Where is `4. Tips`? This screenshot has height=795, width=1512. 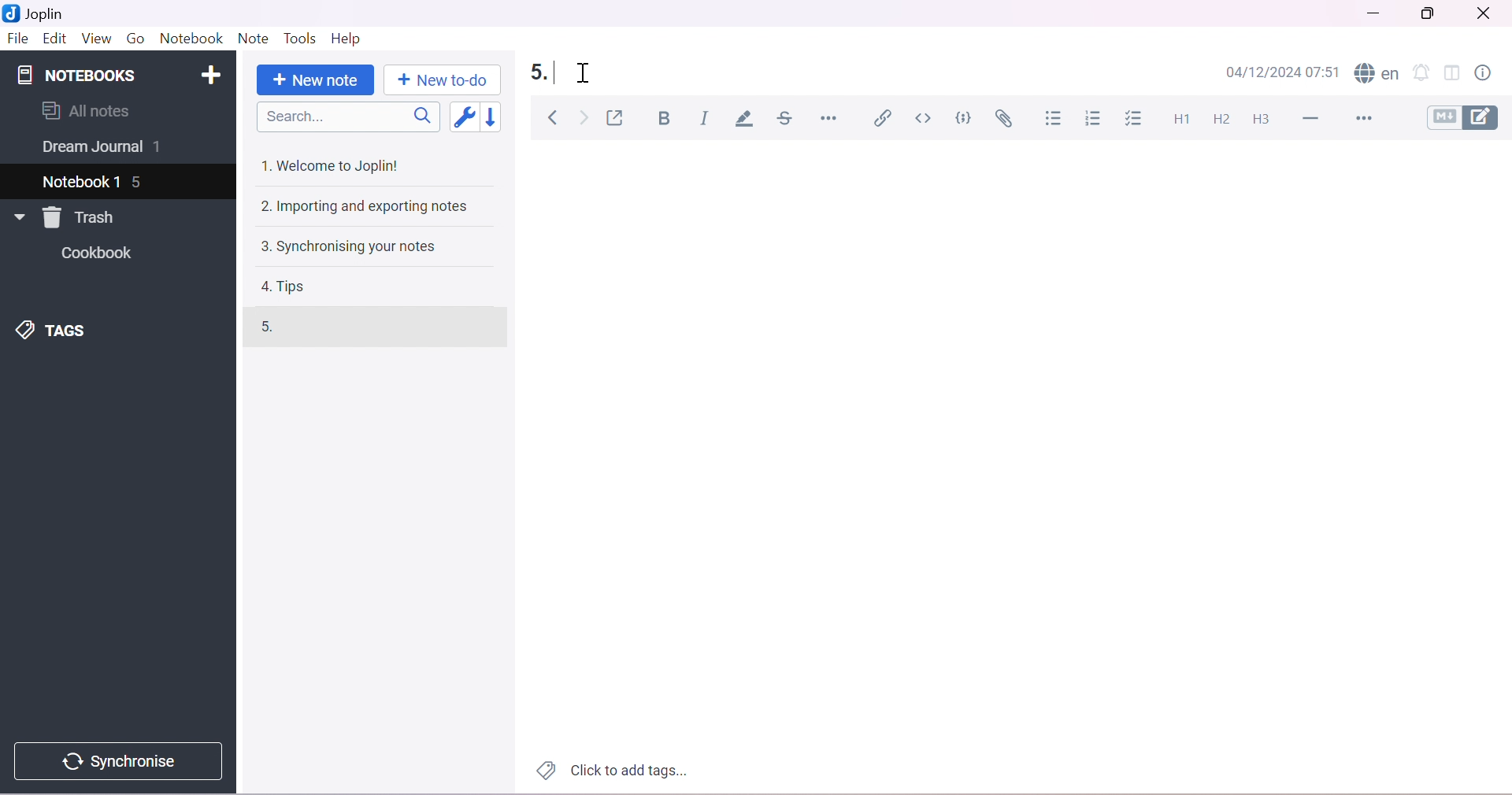
4. Tips is located at coordinates (290, 287).